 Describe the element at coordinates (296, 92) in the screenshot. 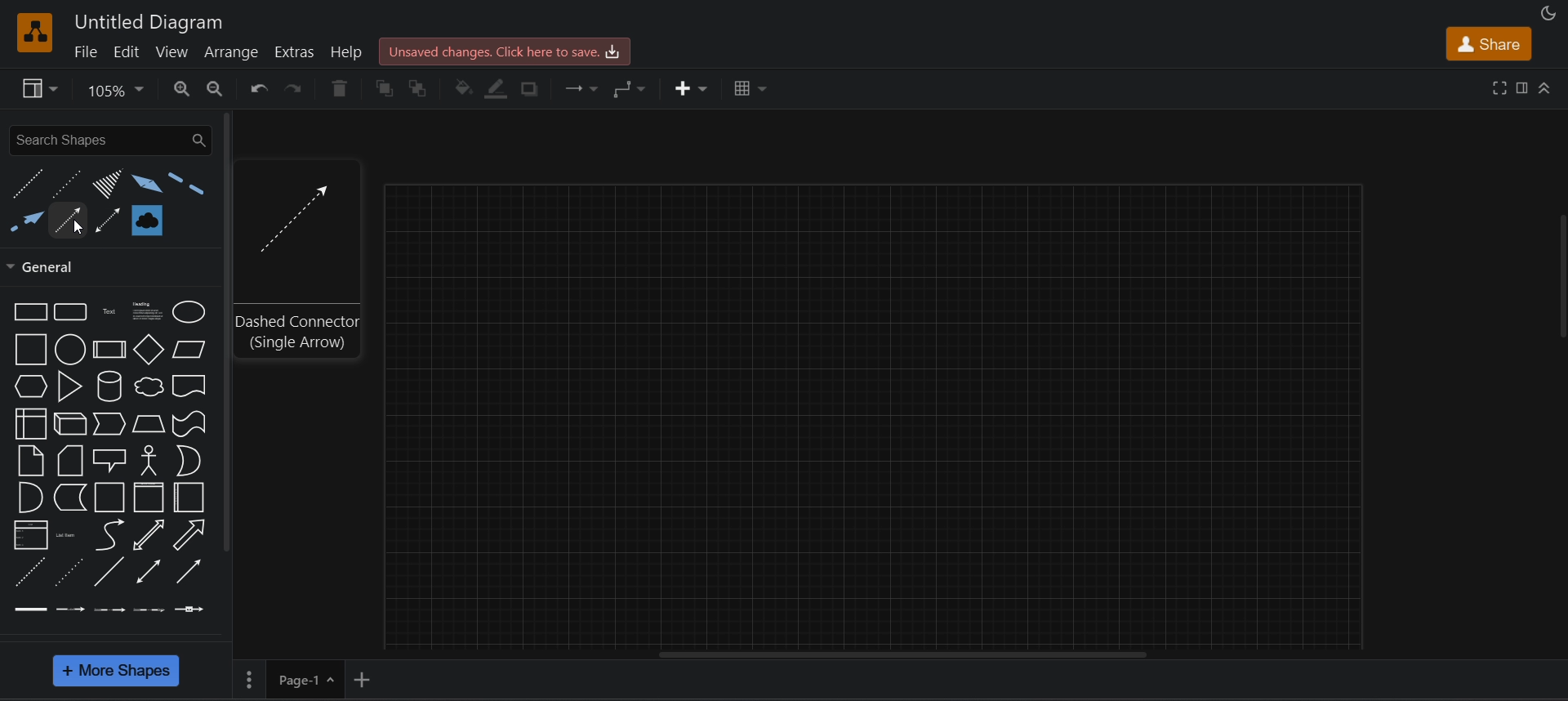

I see `redo` at that location.